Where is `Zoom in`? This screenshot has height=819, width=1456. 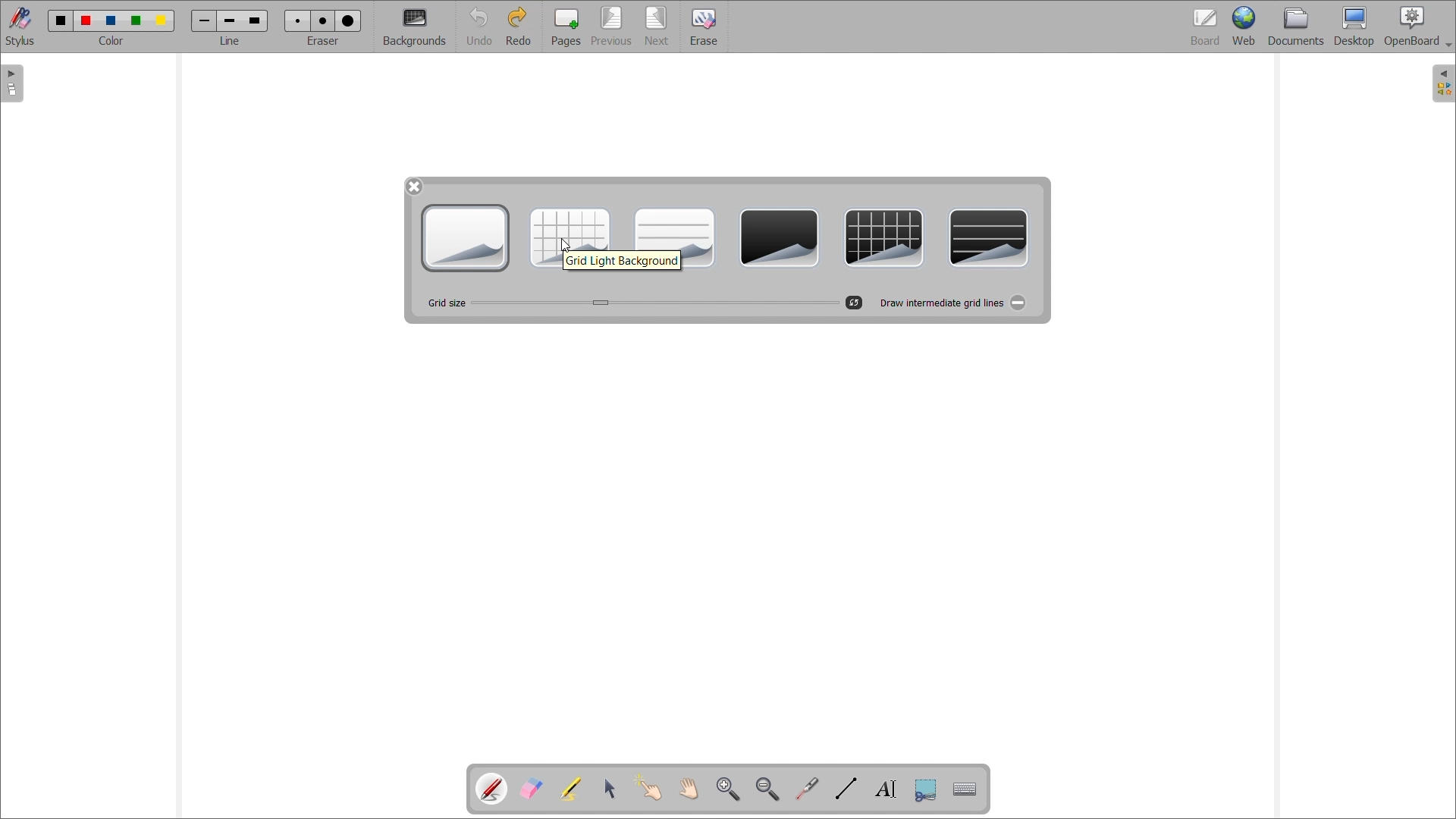 Zoom in is located at coordinates (727, 789).